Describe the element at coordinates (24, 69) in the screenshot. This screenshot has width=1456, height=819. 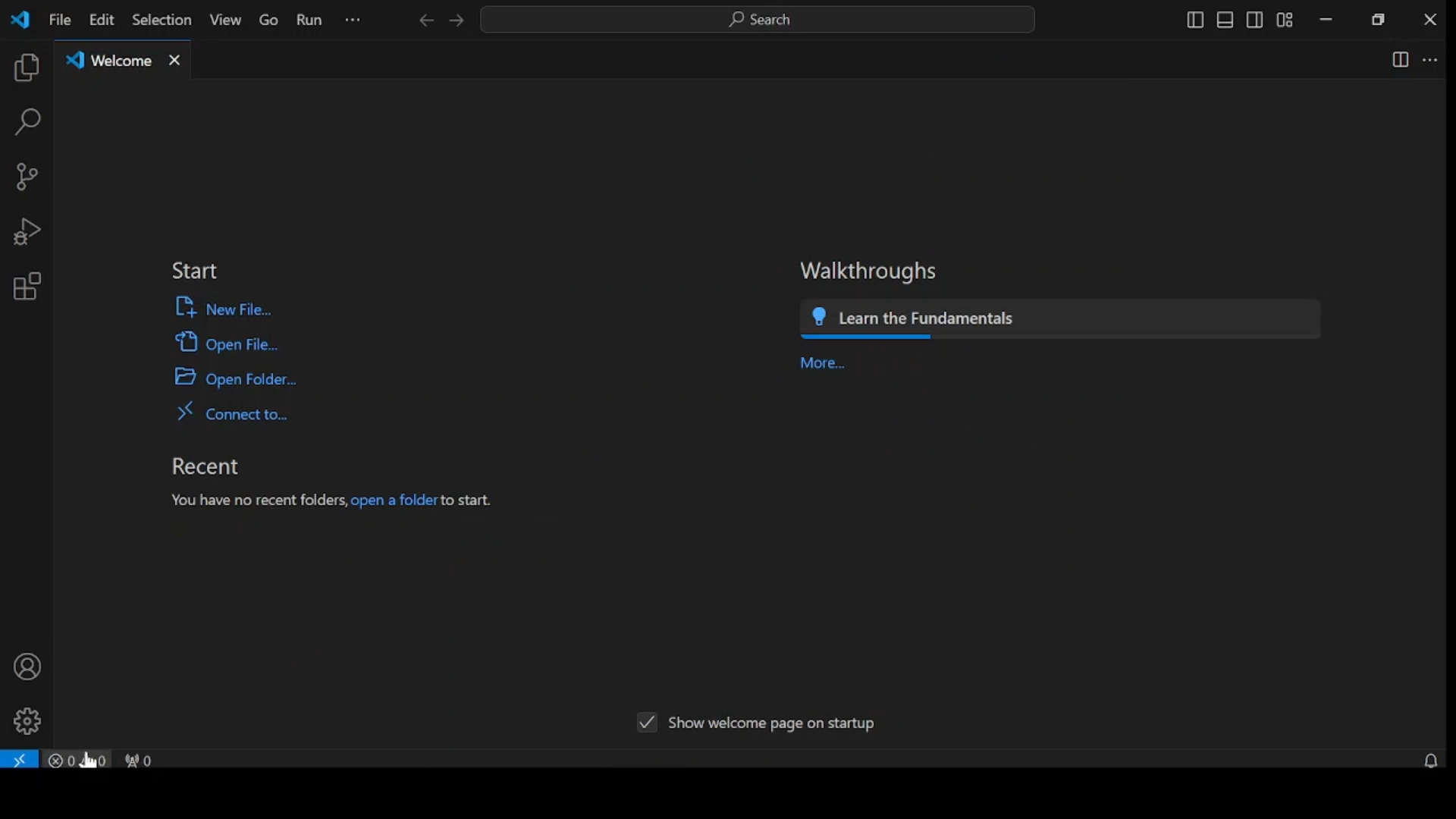
I see `explorer` at that location.